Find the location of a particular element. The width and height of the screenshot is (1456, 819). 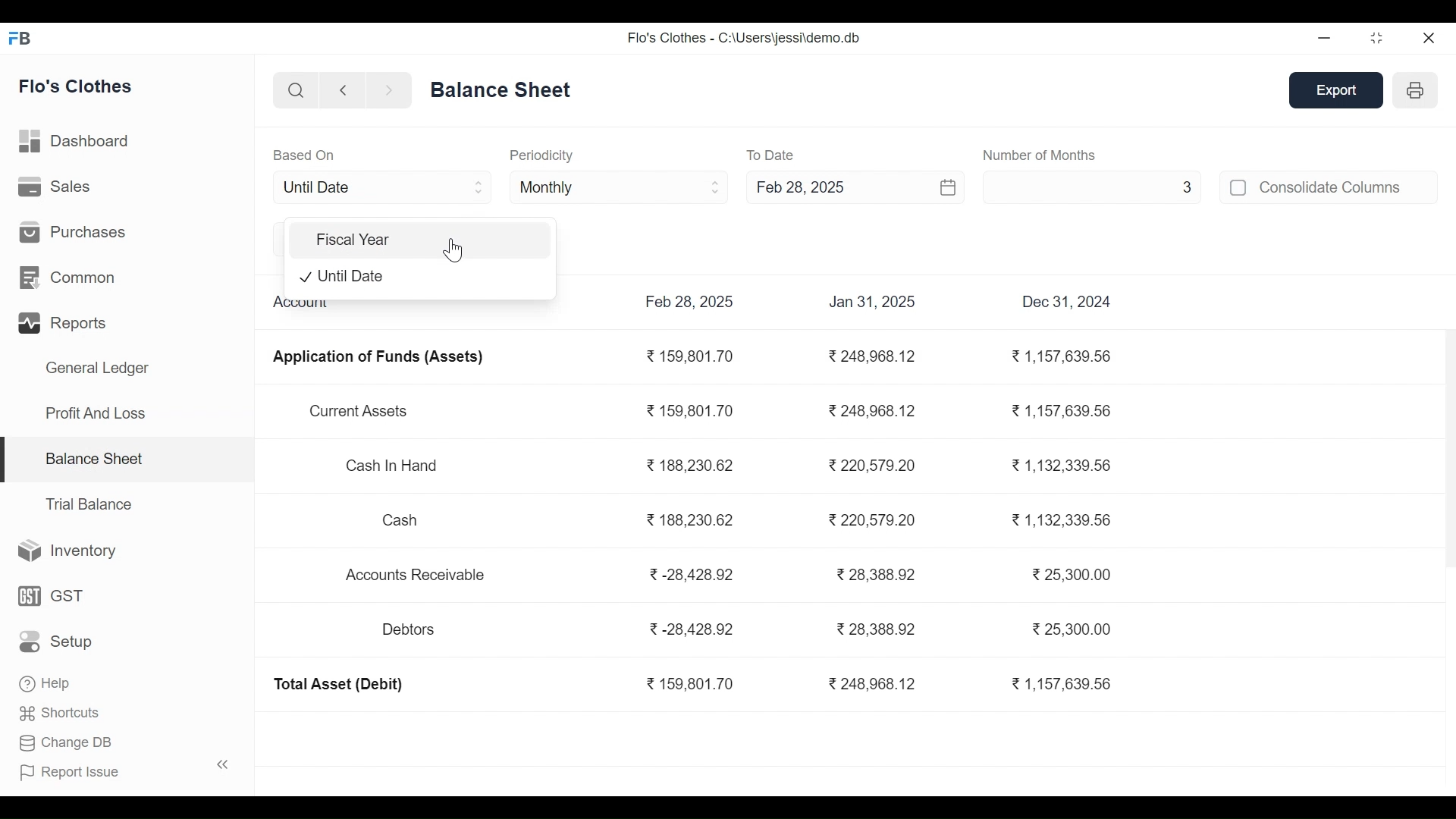

248,968.12 is located at coordinates (874, 685).